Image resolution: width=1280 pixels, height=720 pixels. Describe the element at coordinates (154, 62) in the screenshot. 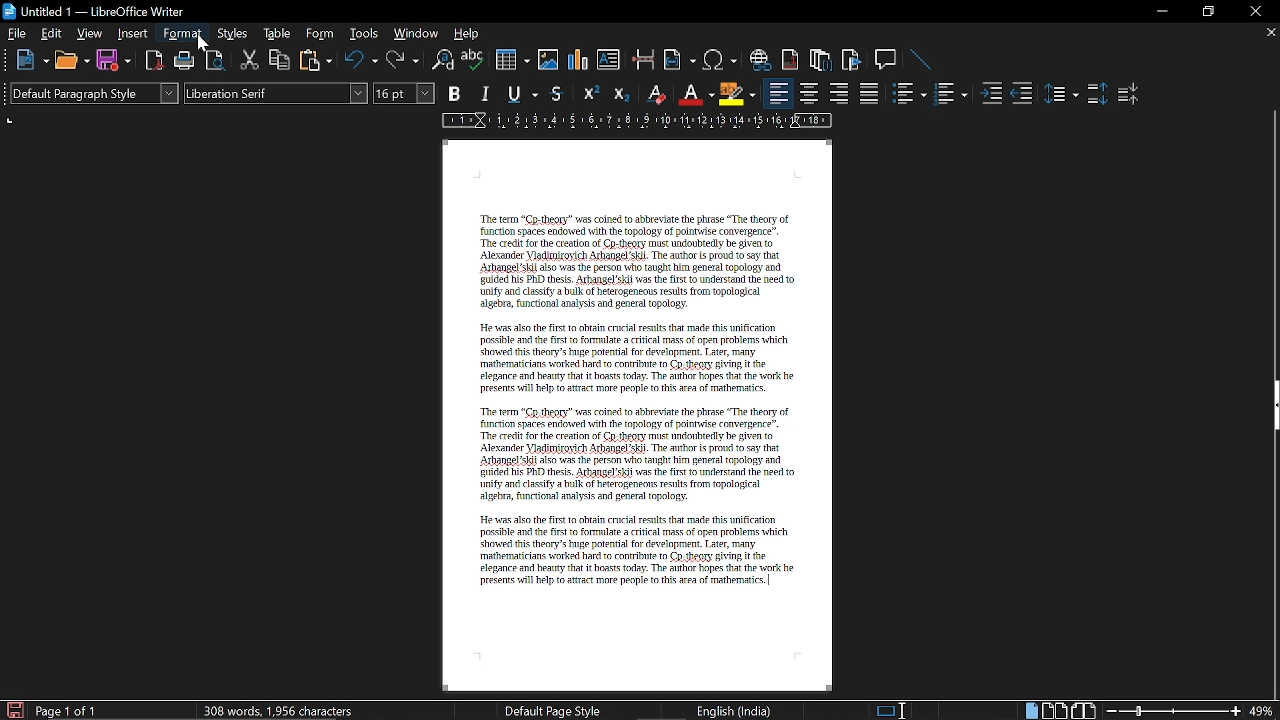

I see `Import as pdf` at that location.